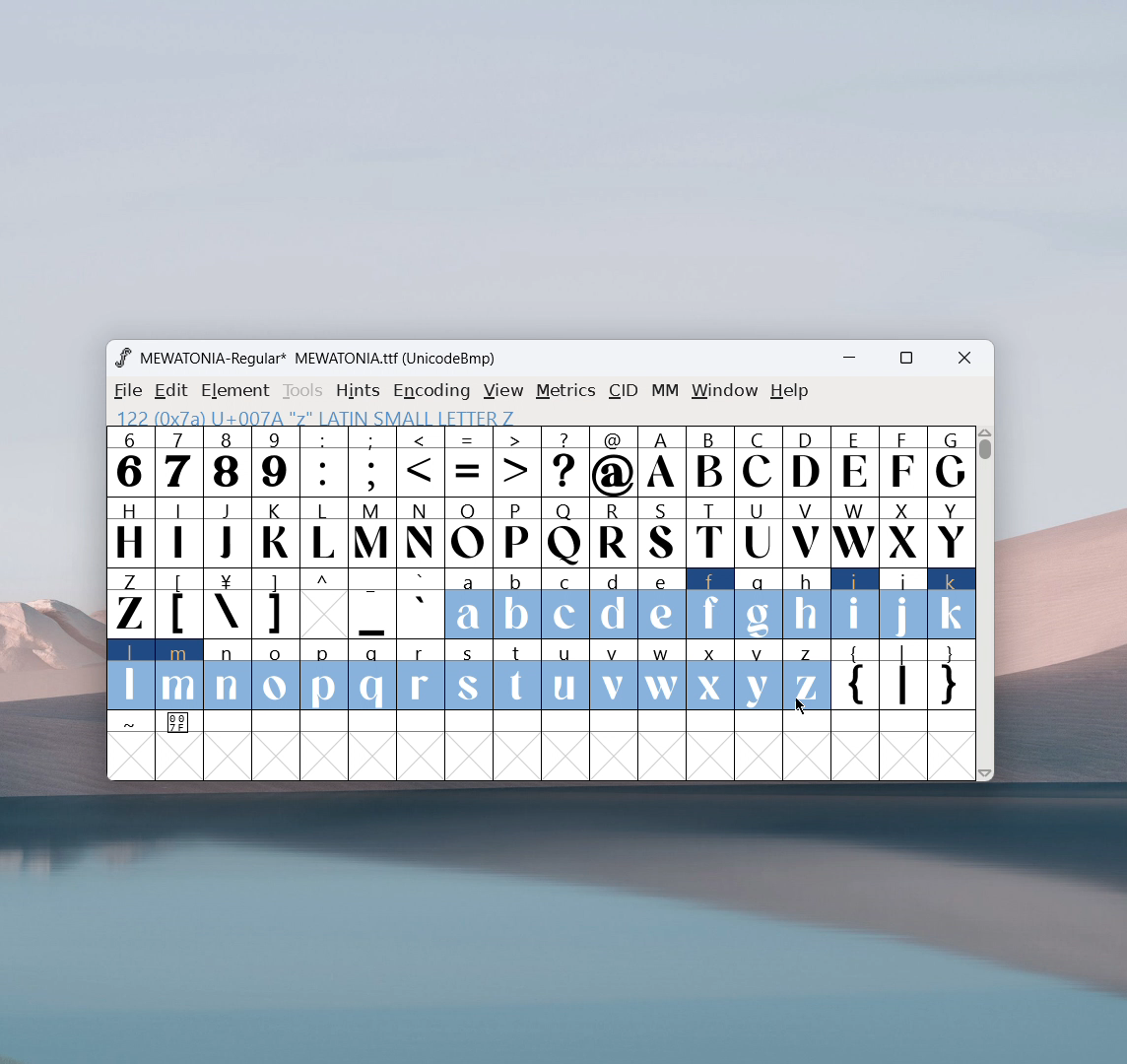 The height and width of the screenshot is (1064, 1127). I want to click on ~, so click(131, 723).